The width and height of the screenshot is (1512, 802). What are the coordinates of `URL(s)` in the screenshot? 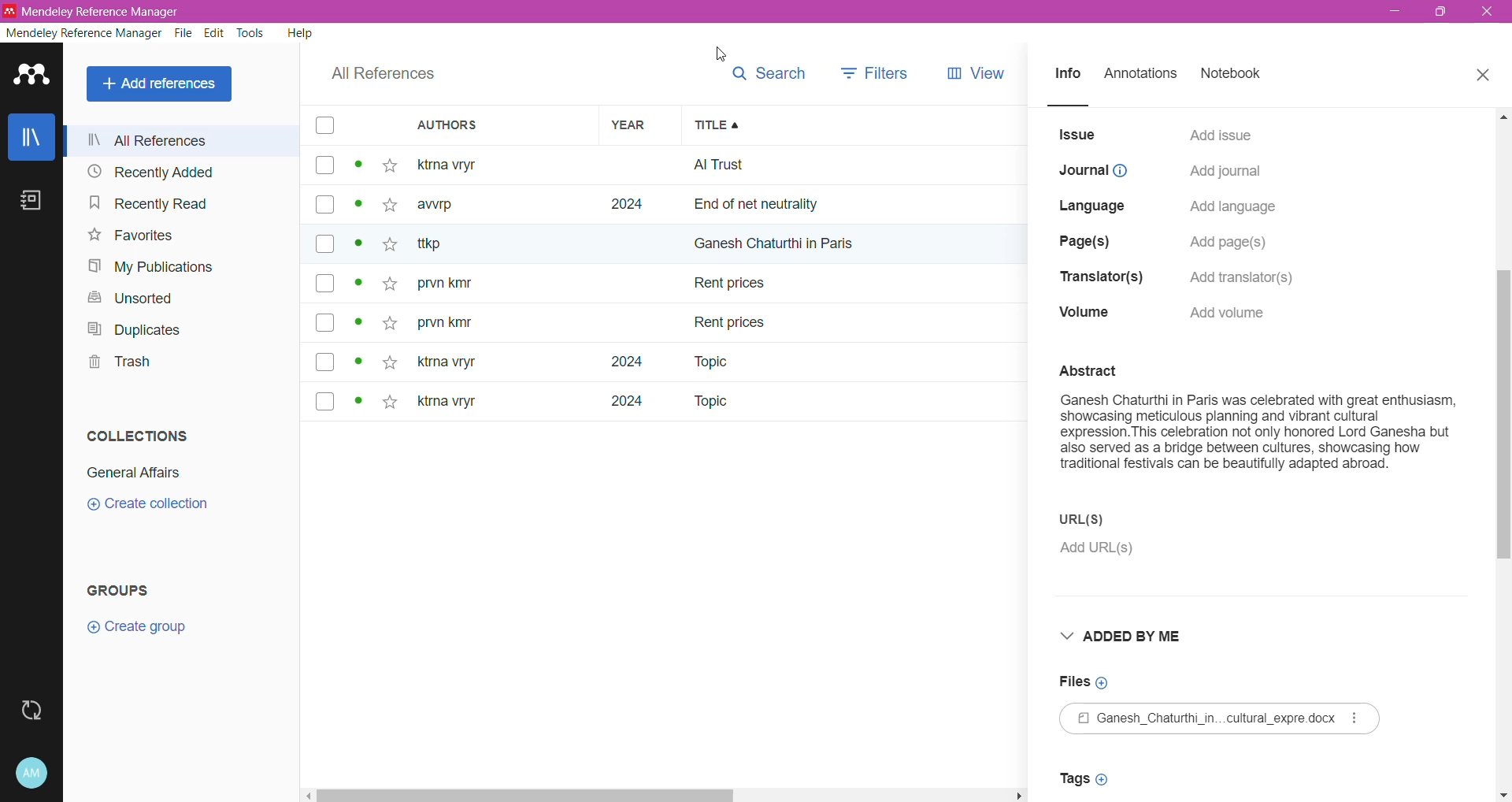 It's located at (1113, 519).